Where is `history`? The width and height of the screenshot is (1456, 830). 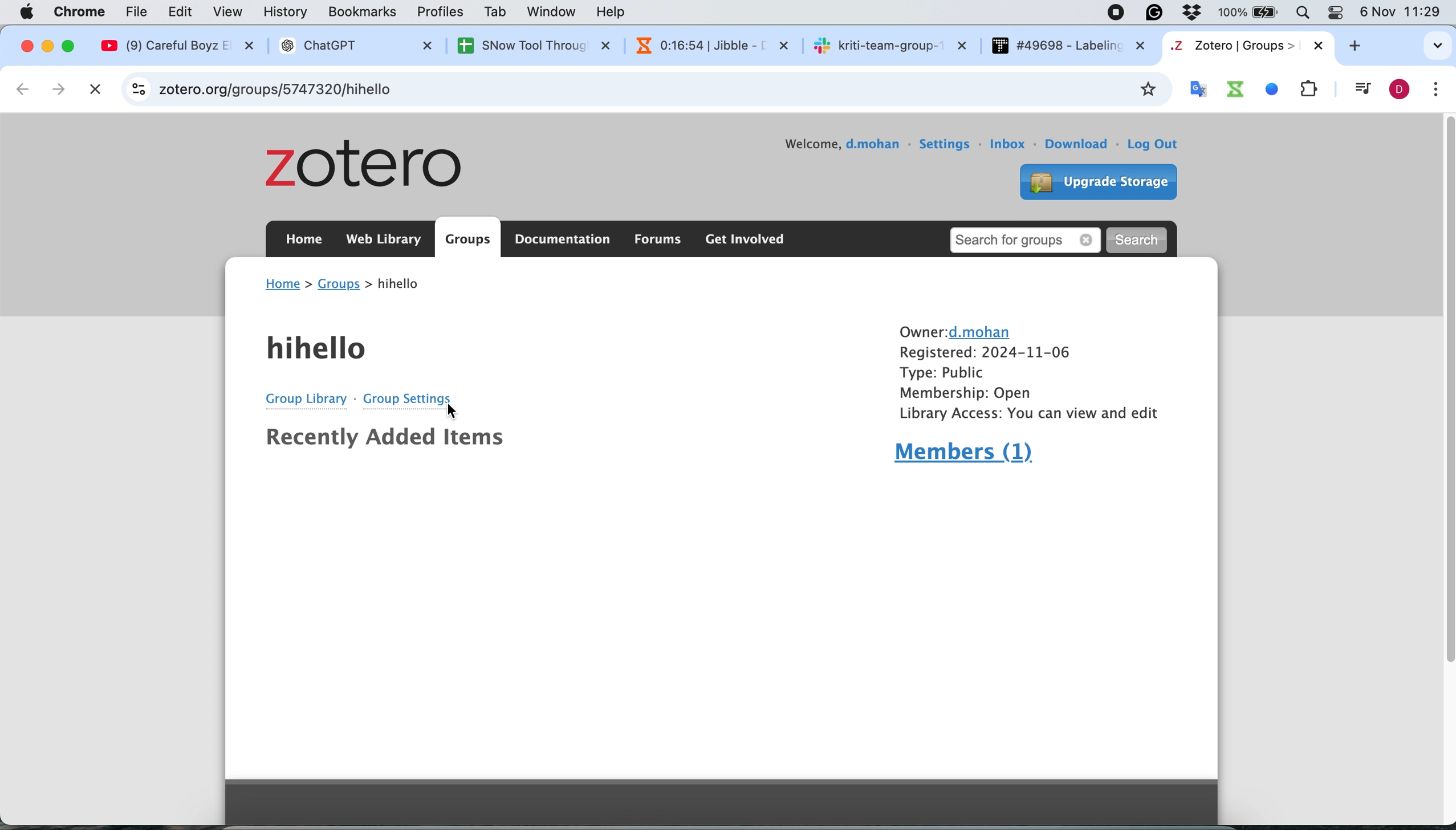 history is located at coordinates (289, 13).